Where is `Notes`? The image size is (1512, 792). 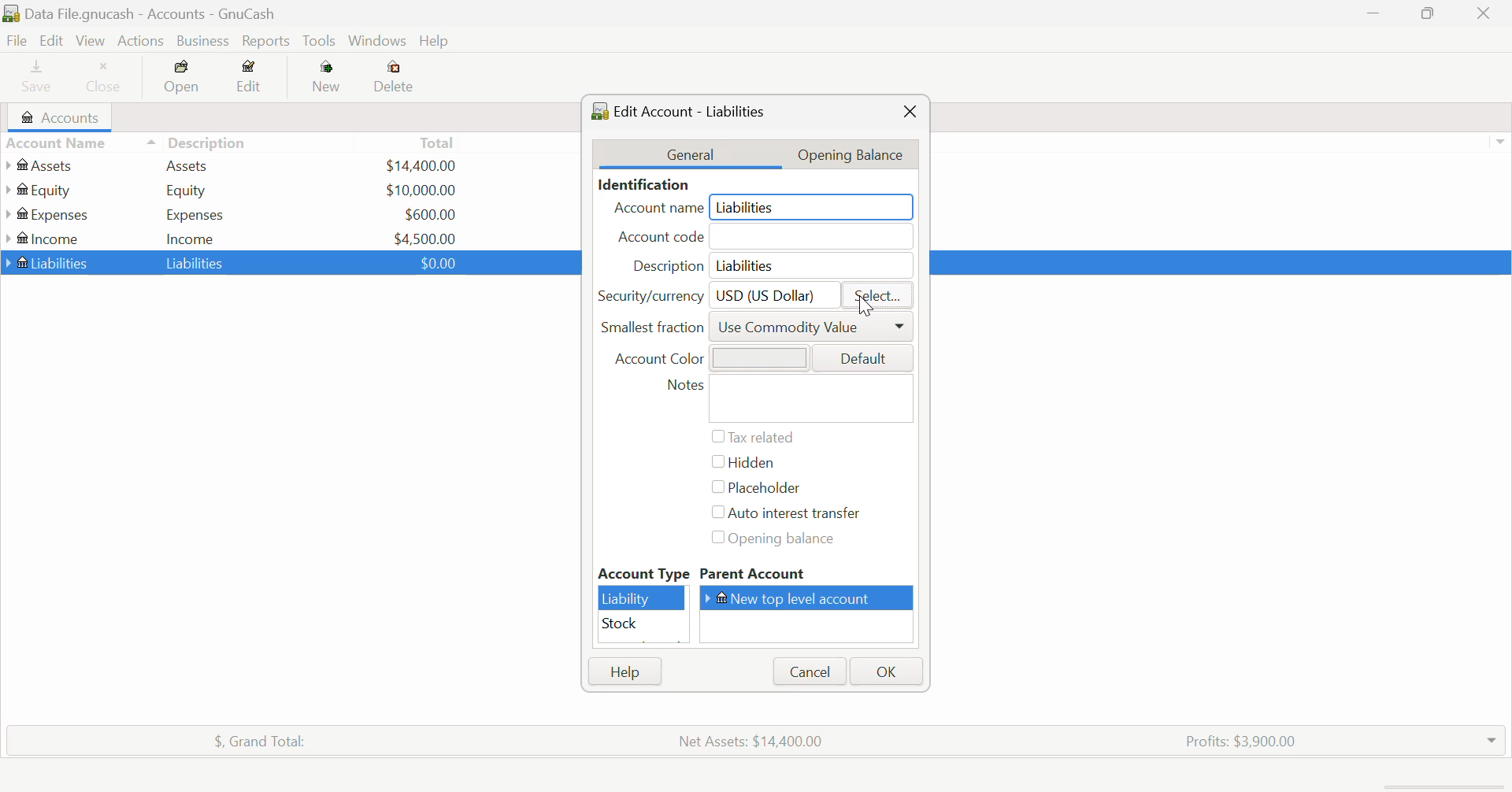
Notes is located at coordinates (786, 398).